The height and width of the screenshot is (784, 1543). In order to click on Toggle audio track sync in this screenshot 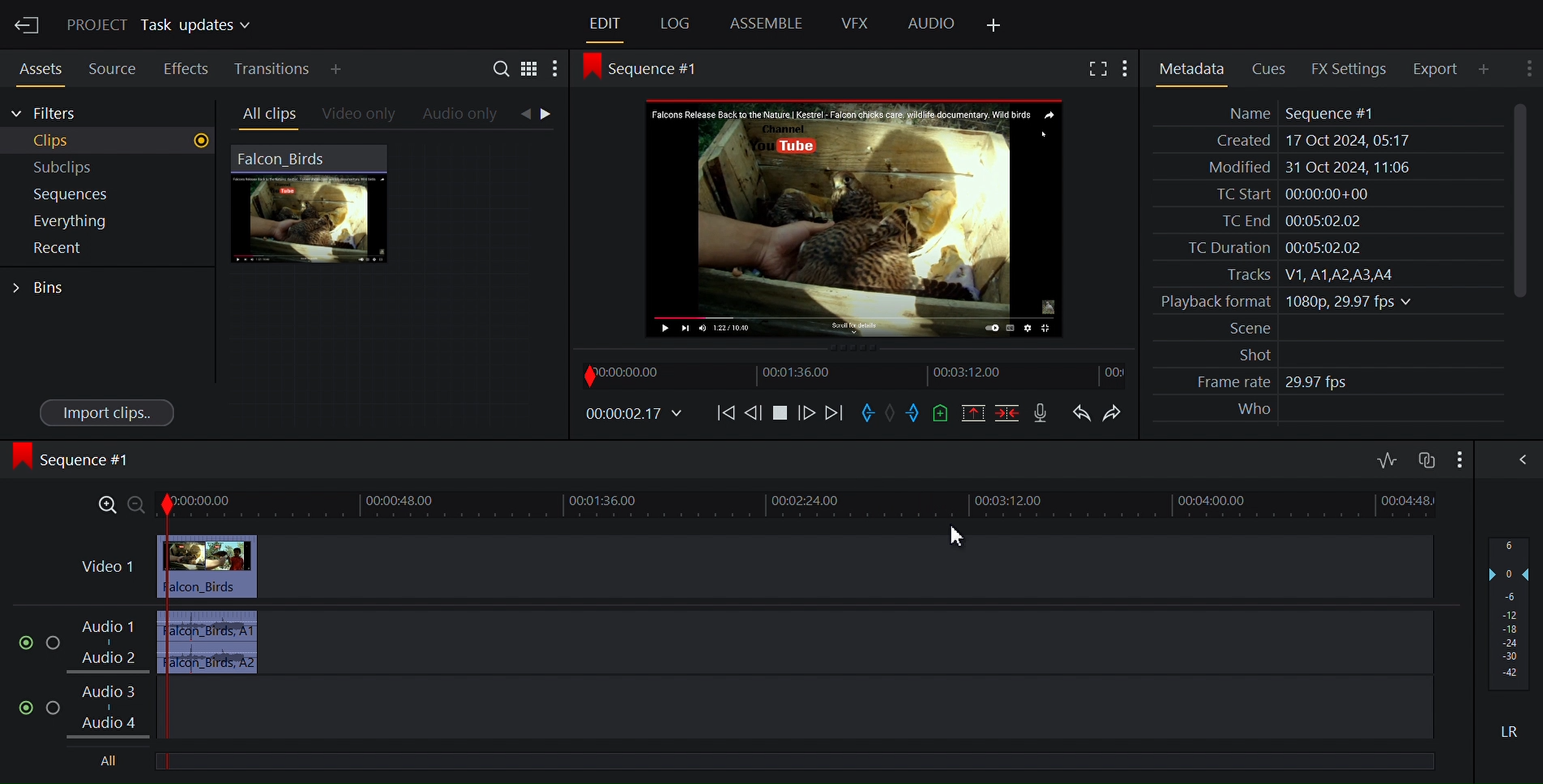, I will do `click(1425, 458)`.